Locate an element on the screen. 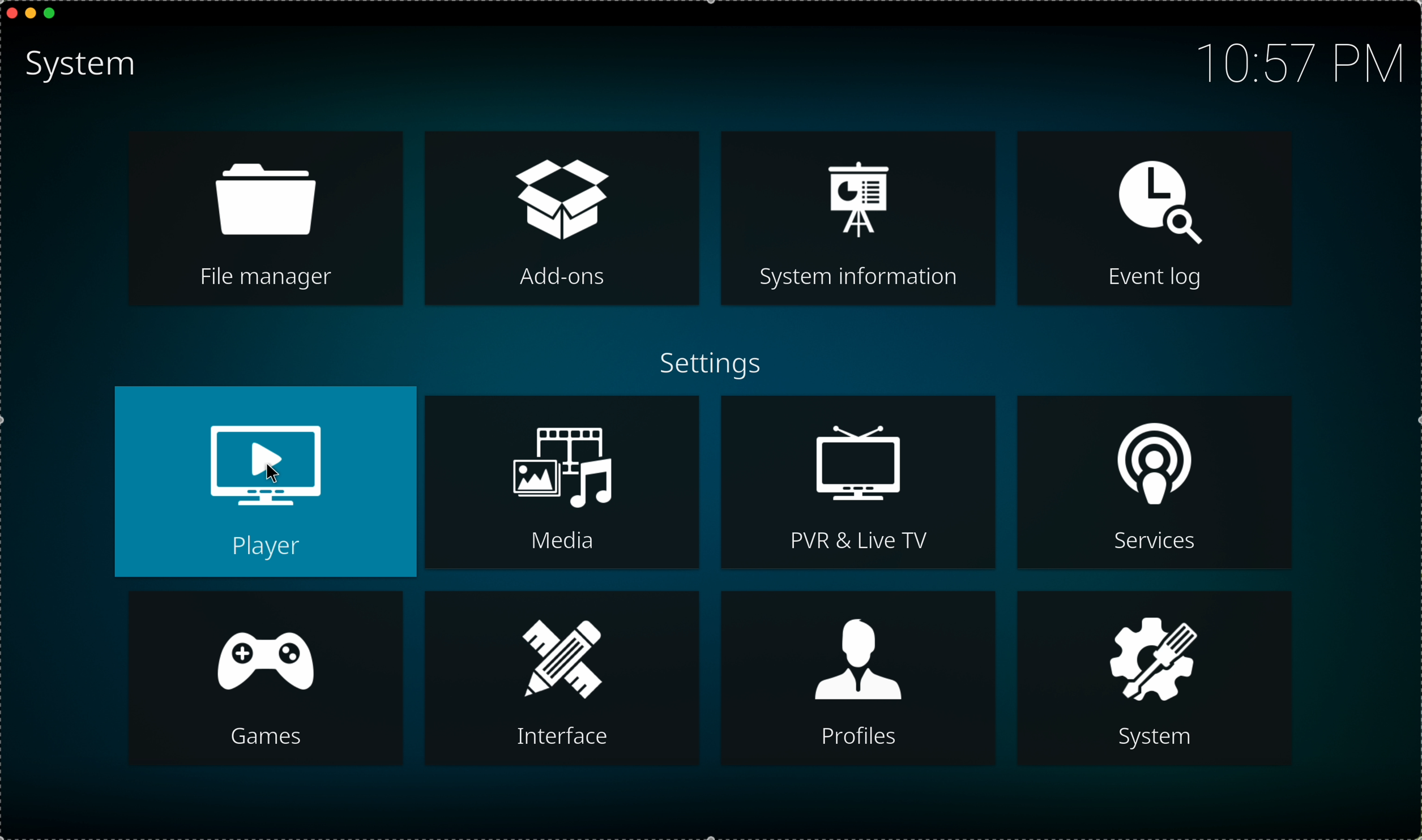 This screenshot has height=840, width=1422. PVR & live tv is located at coordinates (859, 485).